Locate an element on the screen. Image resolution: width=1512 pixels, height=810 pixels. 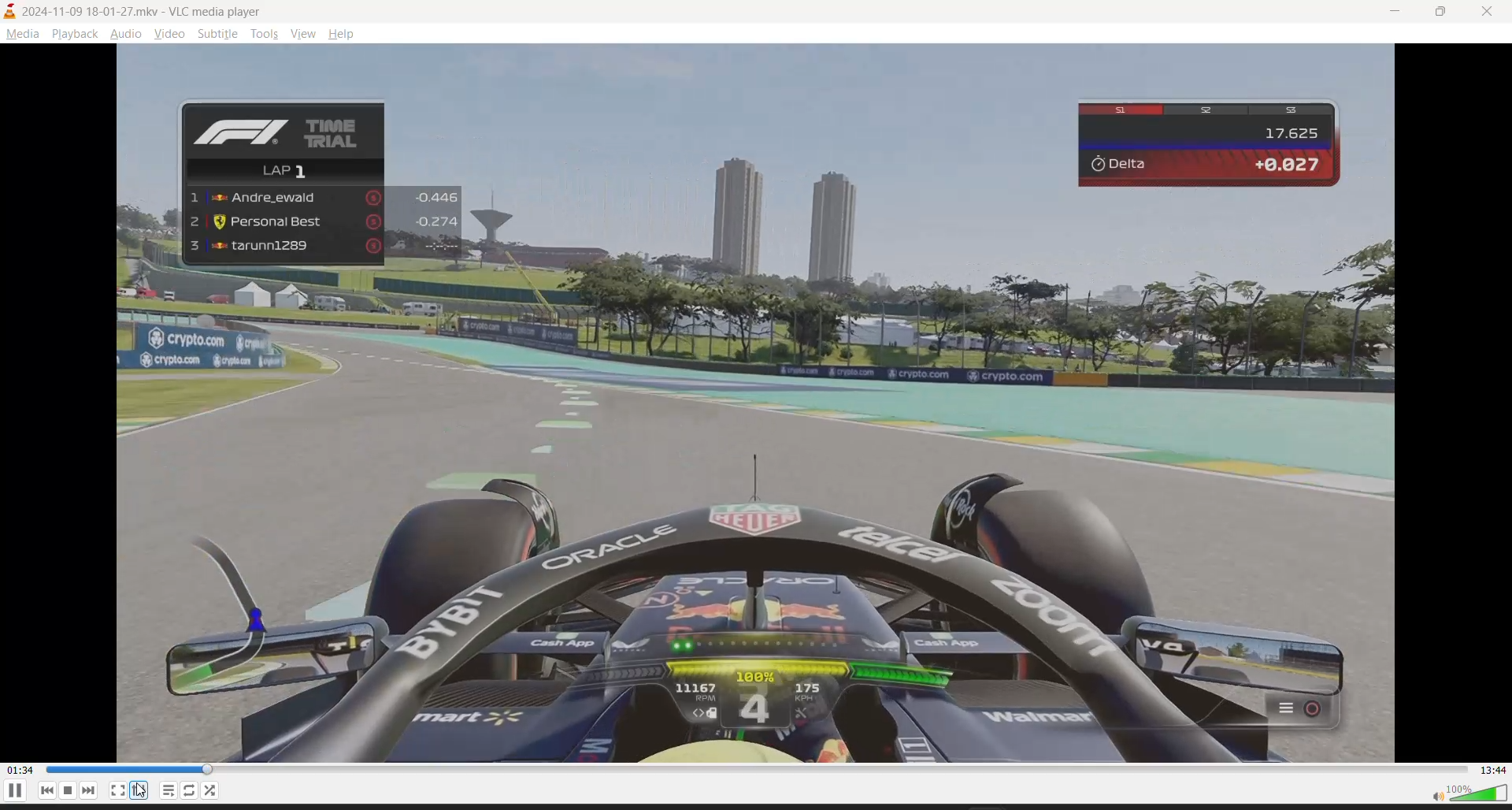
previous is located at coordinates (46, 791).